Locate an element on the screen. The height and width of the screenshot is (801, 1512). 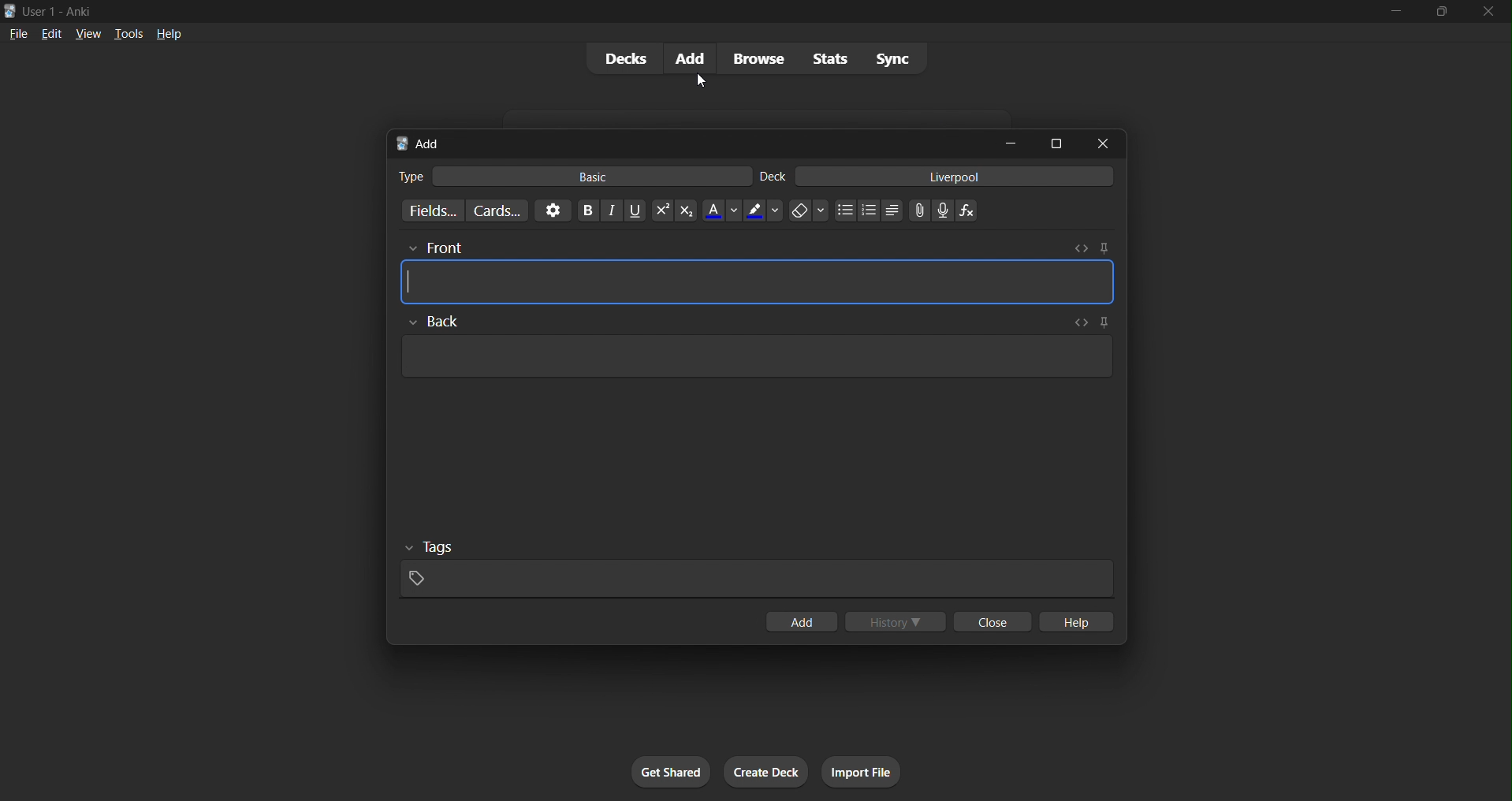
unordered list is located at coordinates (888, 212).